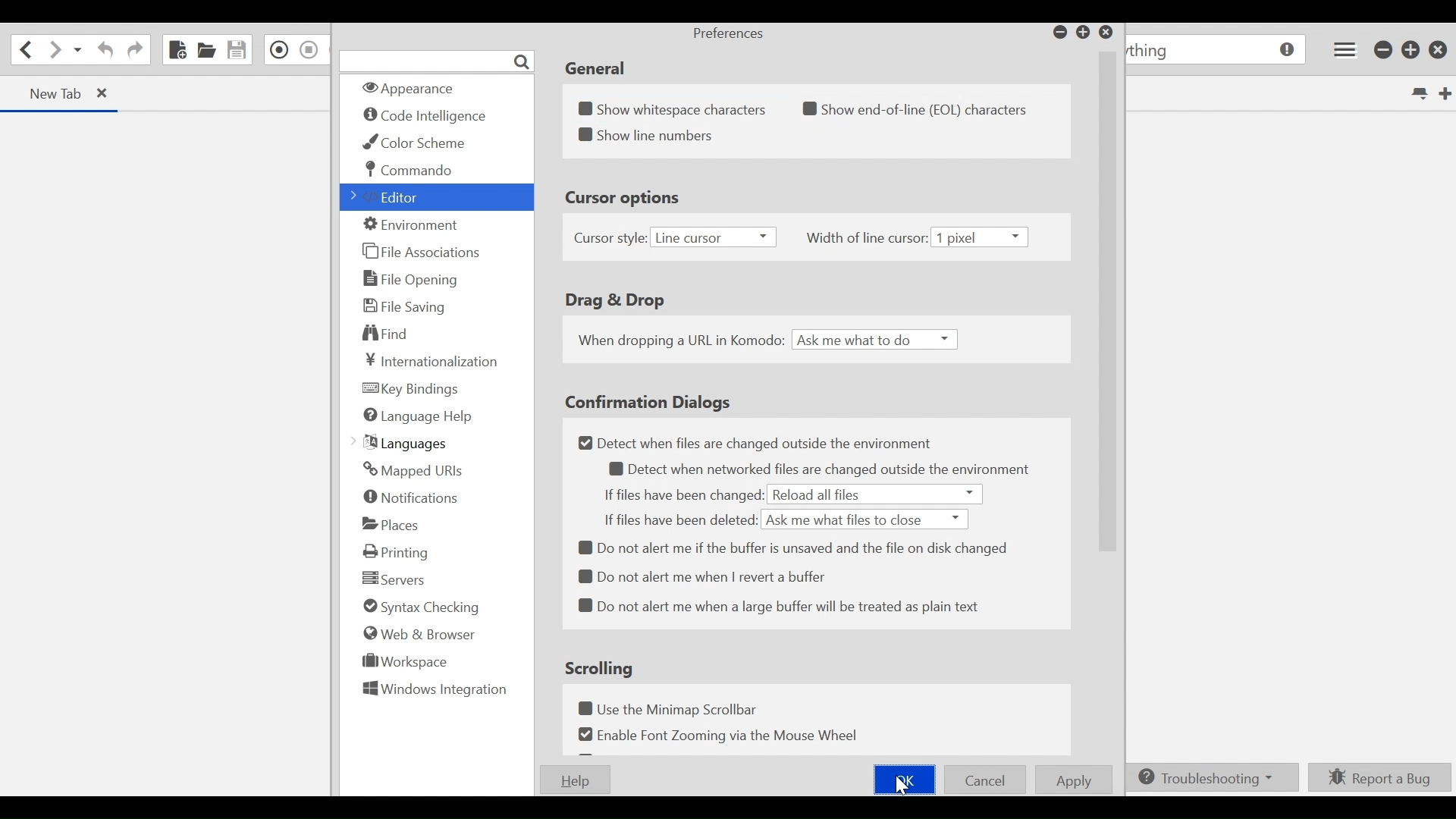 The width and height of the screenshot is (1456, 819). What do you see at coordinates (52, 51) in the screenshot?
I see `Go forward one location` at bounding box center [52, 51].